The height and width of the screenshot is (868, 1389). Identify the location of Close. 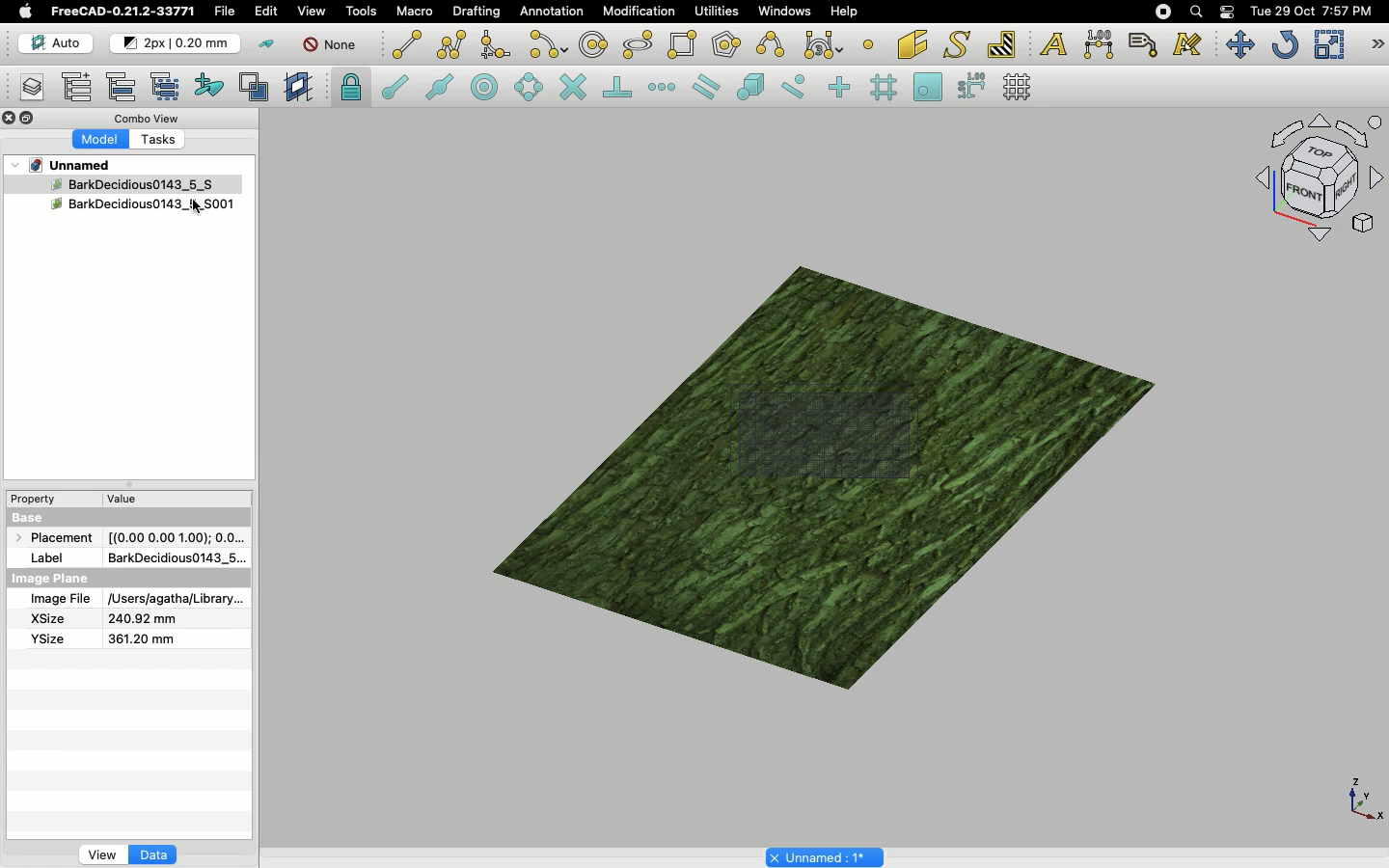
(10, 120).